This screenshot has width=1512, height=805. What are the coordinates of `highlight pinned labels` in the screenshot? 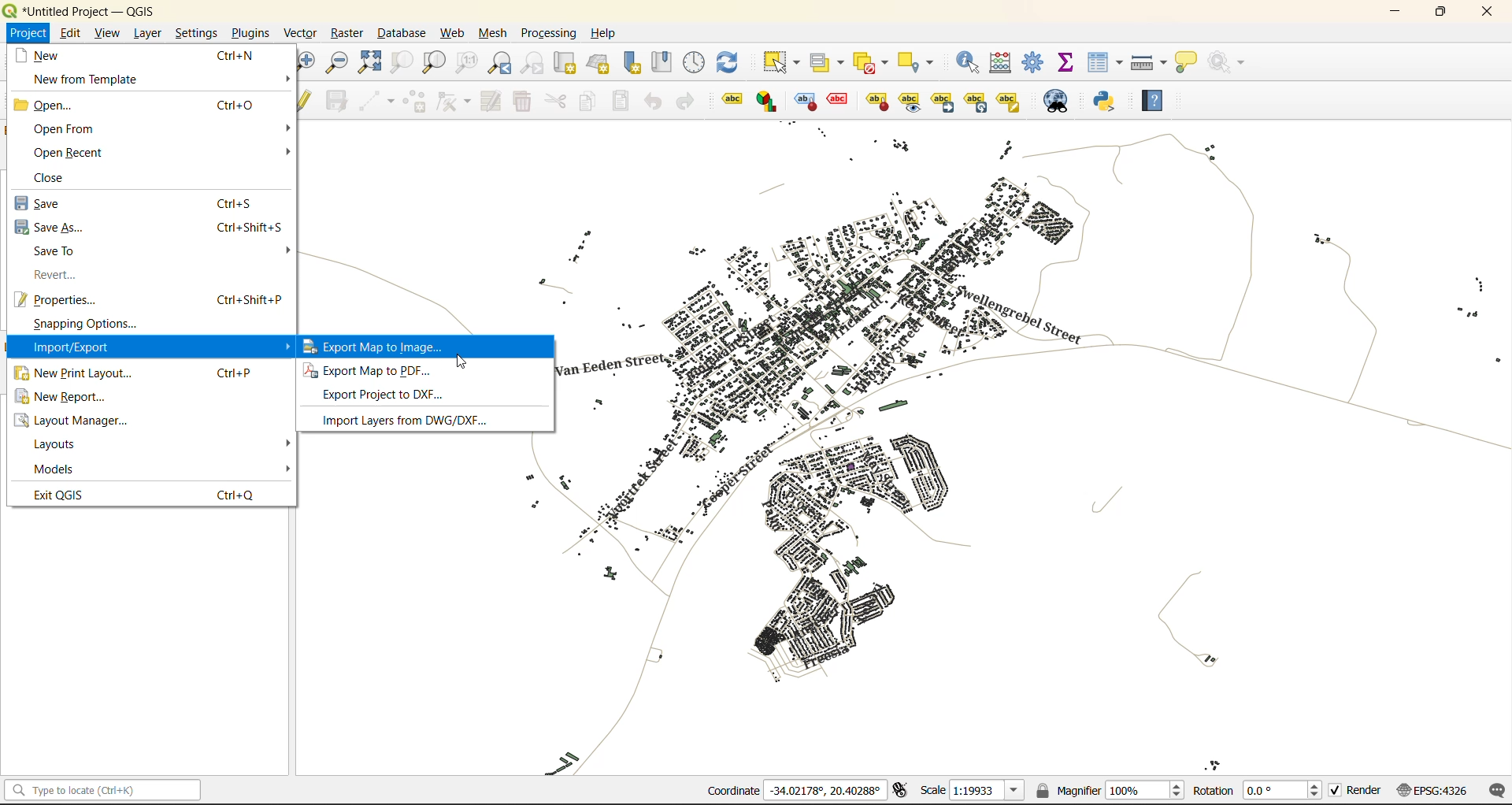 It's located at (731, 101).